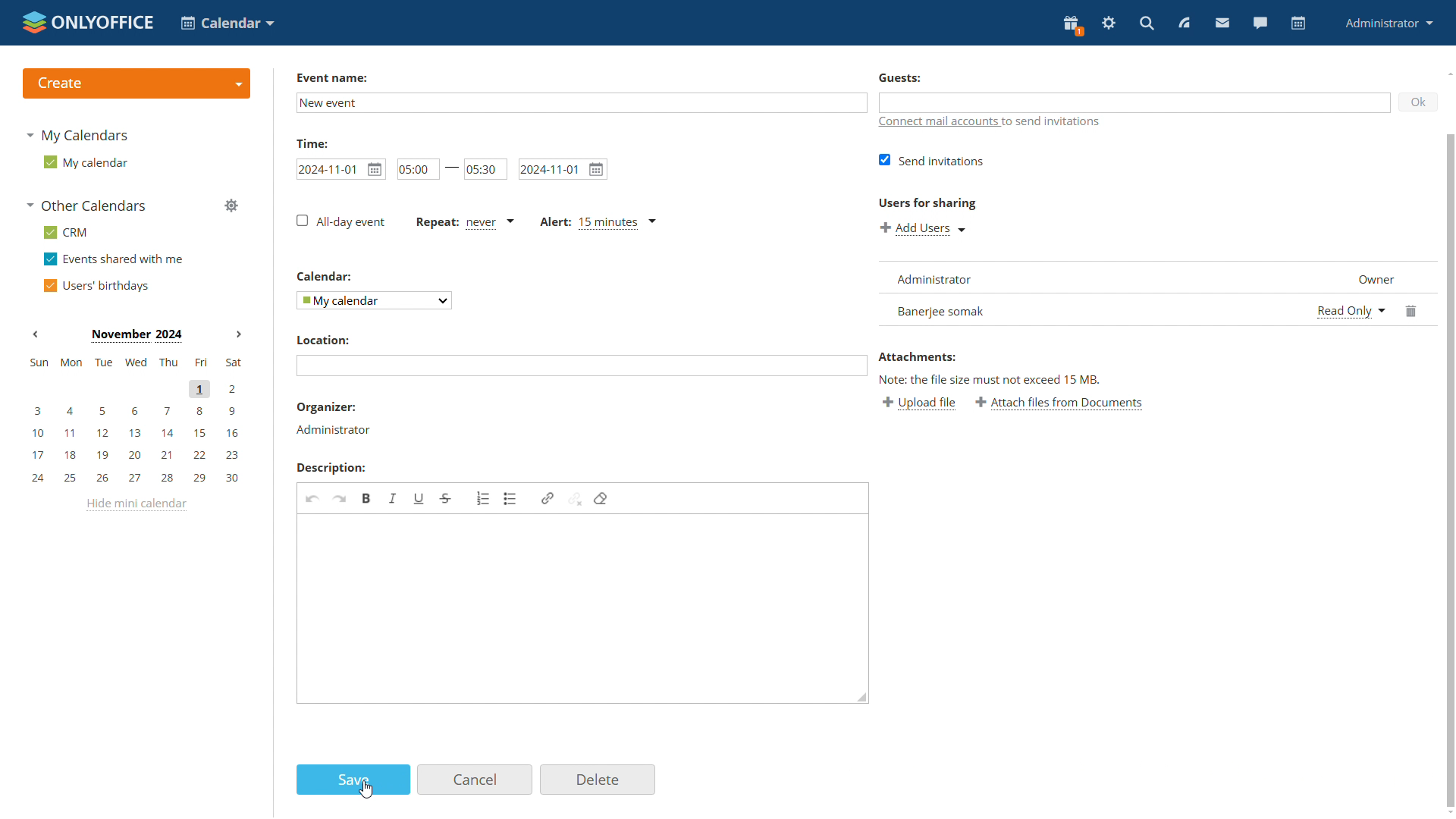  I want to click on List of users added, so click(1090, 293).